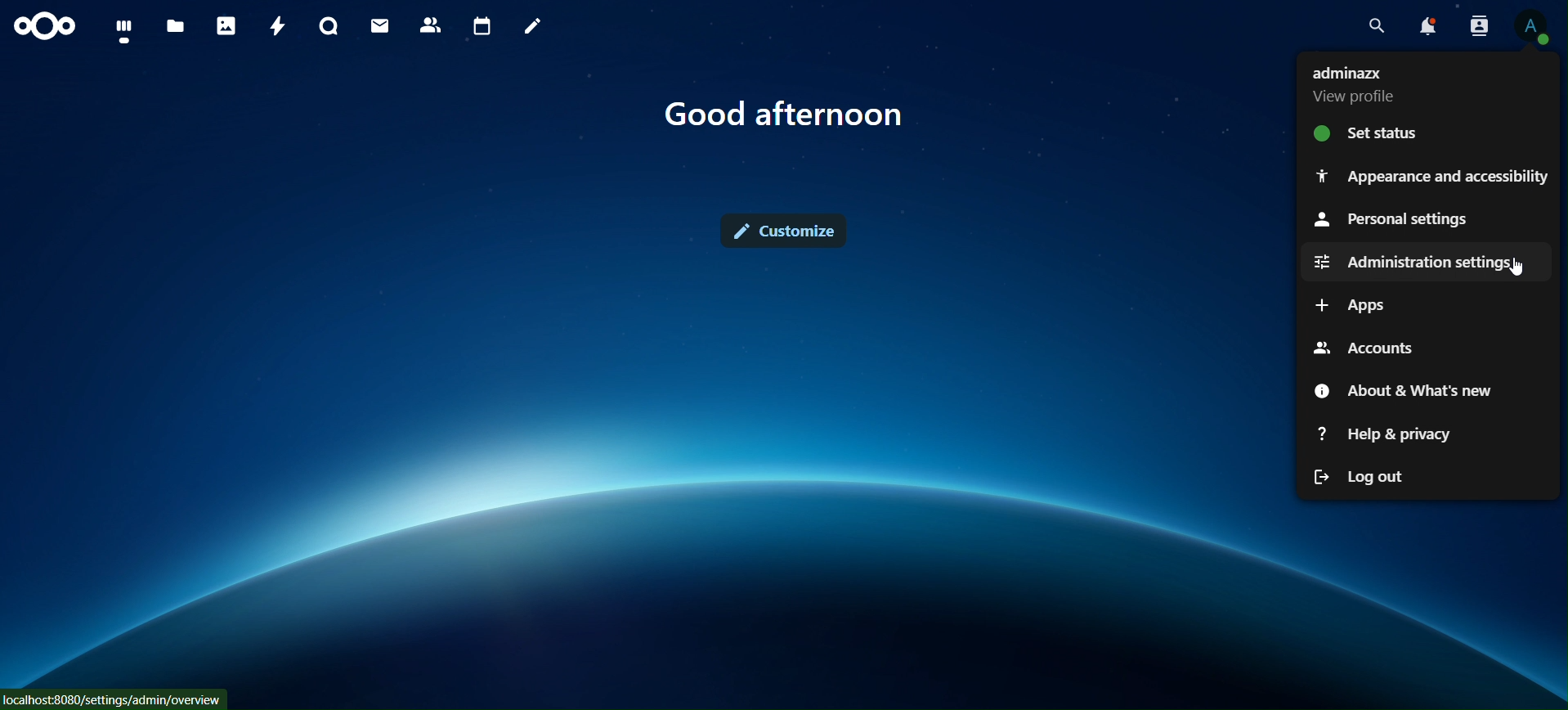 This screenshot has width=1568, height=710. What do you see at coordinates (787, 118) in the screenshot?
I see `good afternon` at bounding box center [787, 118].